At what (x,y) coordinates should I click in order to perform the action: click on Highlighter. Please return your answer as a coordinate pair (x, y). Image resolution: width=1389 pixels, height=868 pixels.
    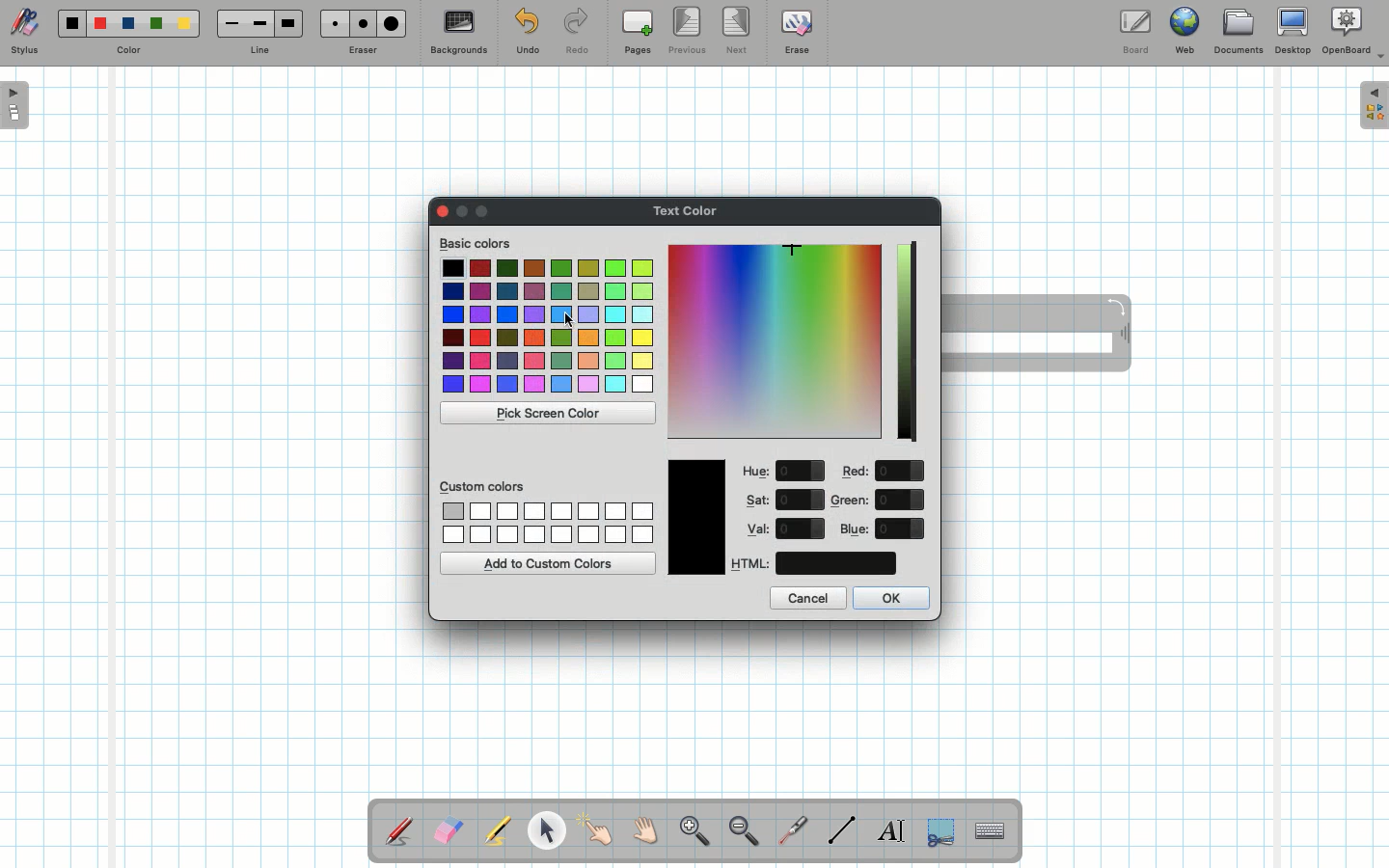
    Looking at the image, I should click on (496, 832).